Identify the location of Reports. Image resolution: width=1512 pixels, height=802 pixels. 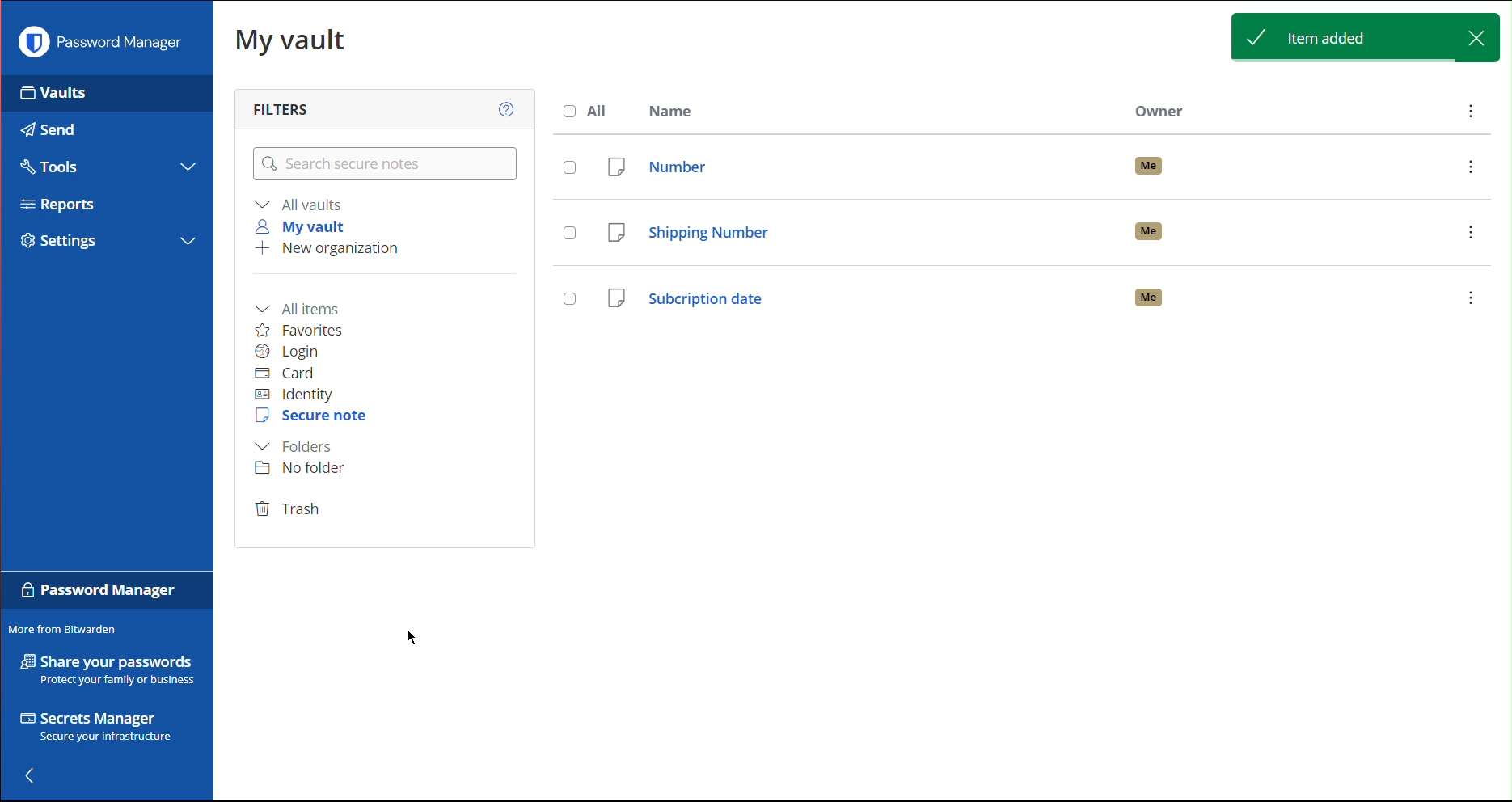
(58, 204).